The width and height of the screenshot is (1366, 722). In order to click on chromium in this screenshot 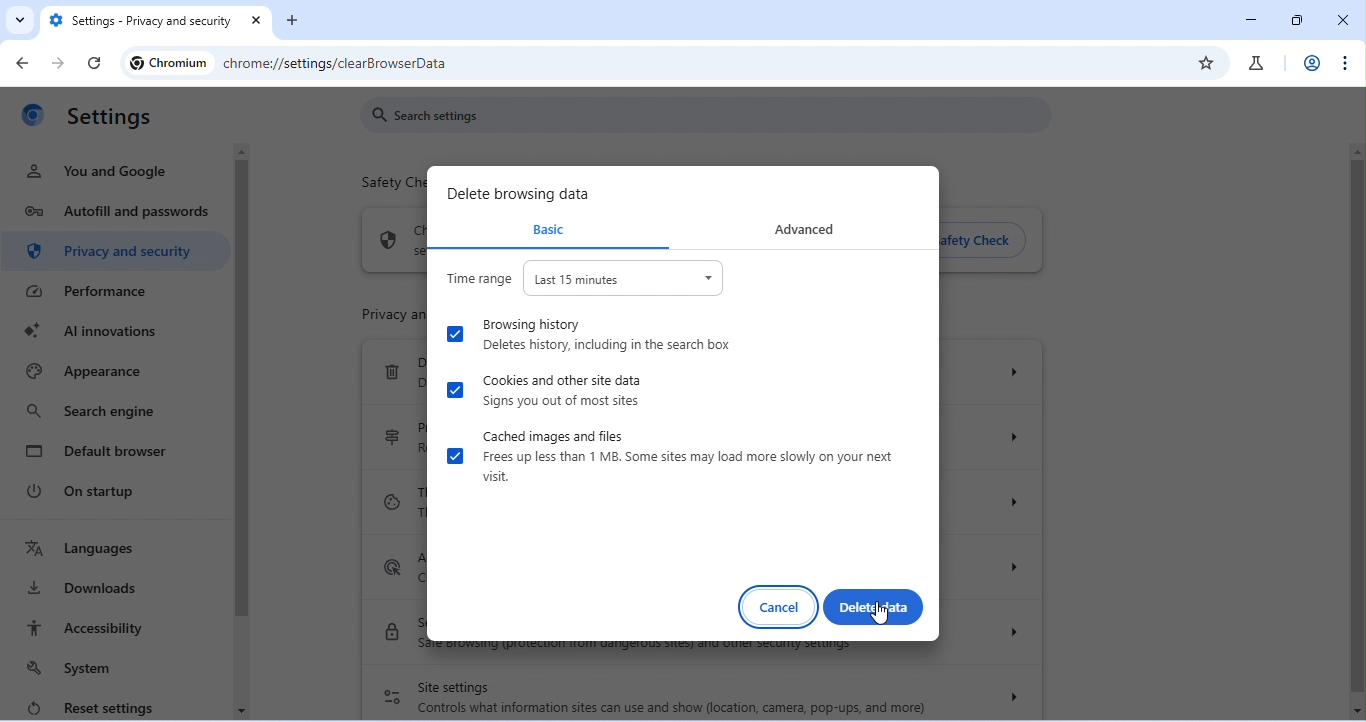, I will do `click(168, 63)`.